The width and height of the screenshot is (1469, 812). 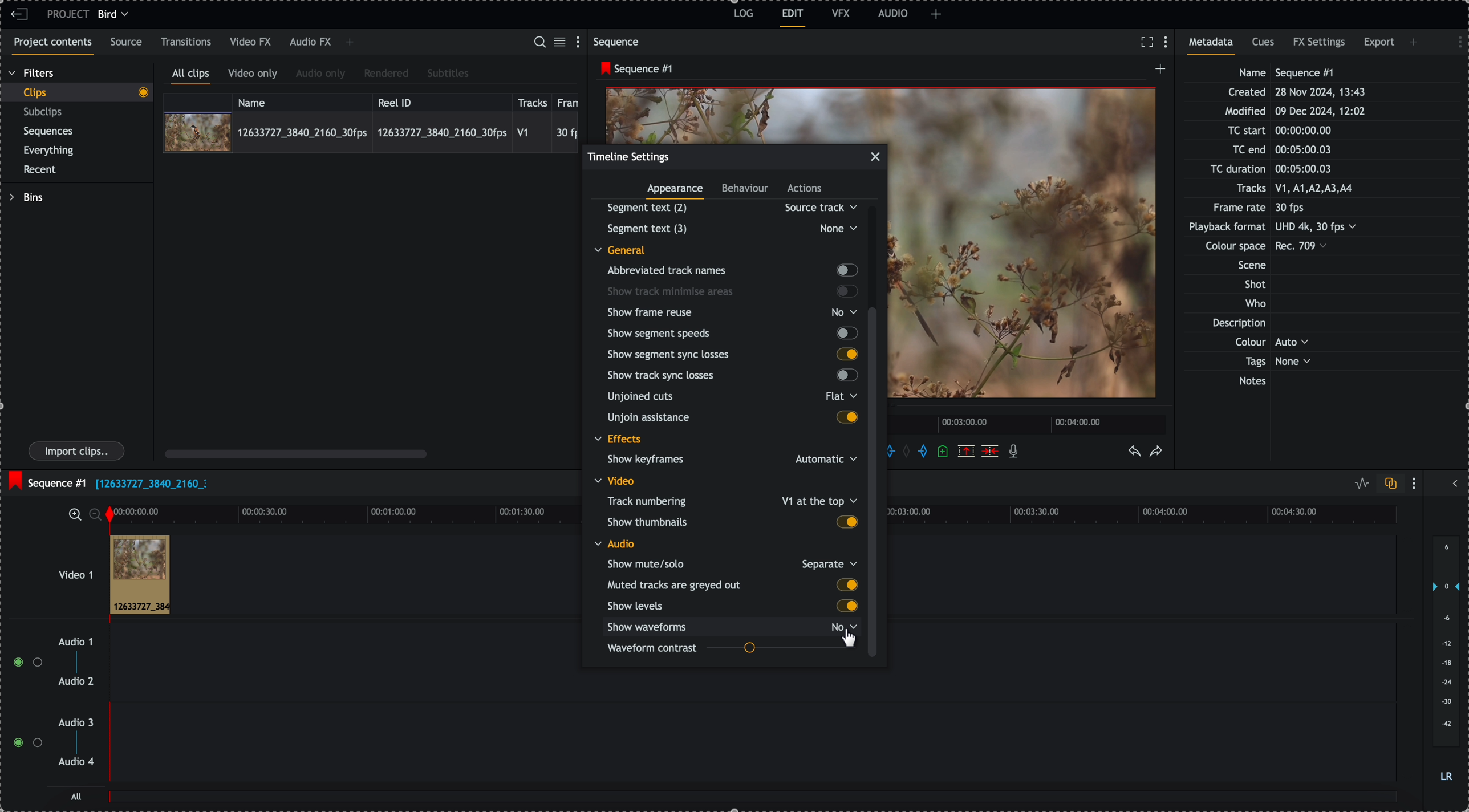 I want to click on leave, so click(x=19, y=15).